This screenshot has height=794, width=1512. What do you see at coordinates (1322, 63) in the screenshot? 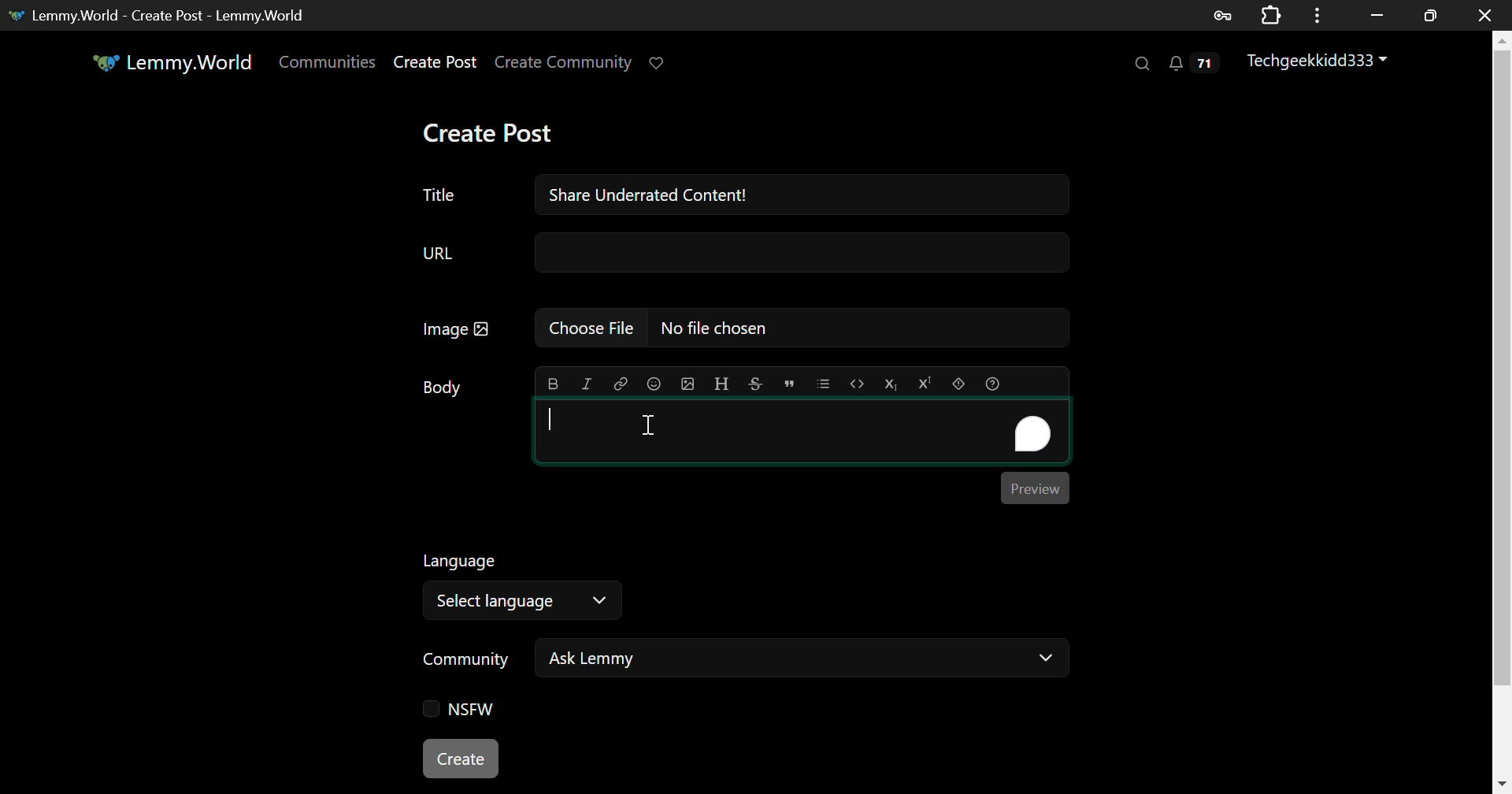
I see `Techgeekkidd333` at bounding box center [1322, 63].